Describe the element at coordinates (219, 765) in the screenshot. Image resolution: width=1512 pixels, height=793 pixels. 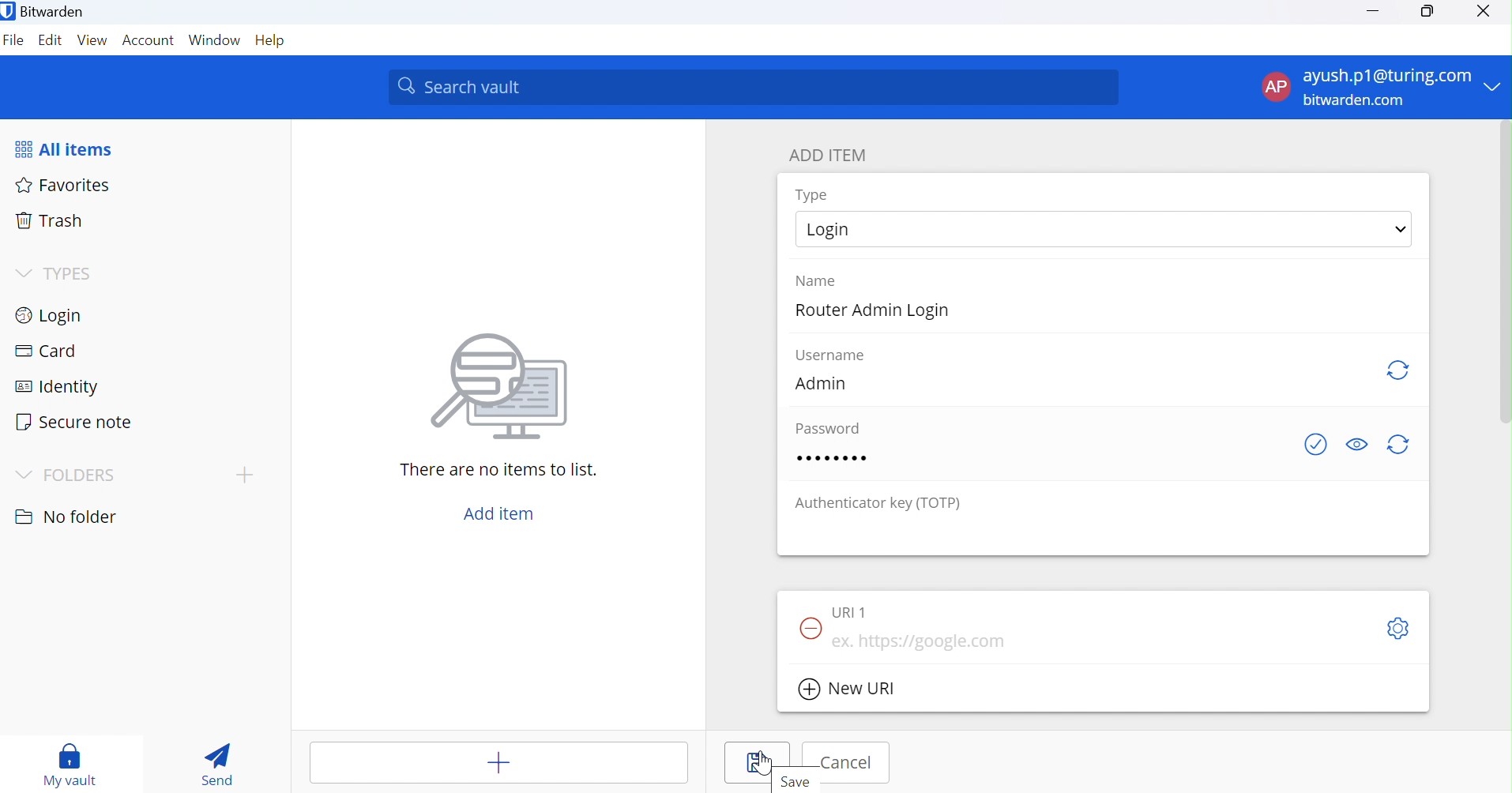
I see `Send` at that location.